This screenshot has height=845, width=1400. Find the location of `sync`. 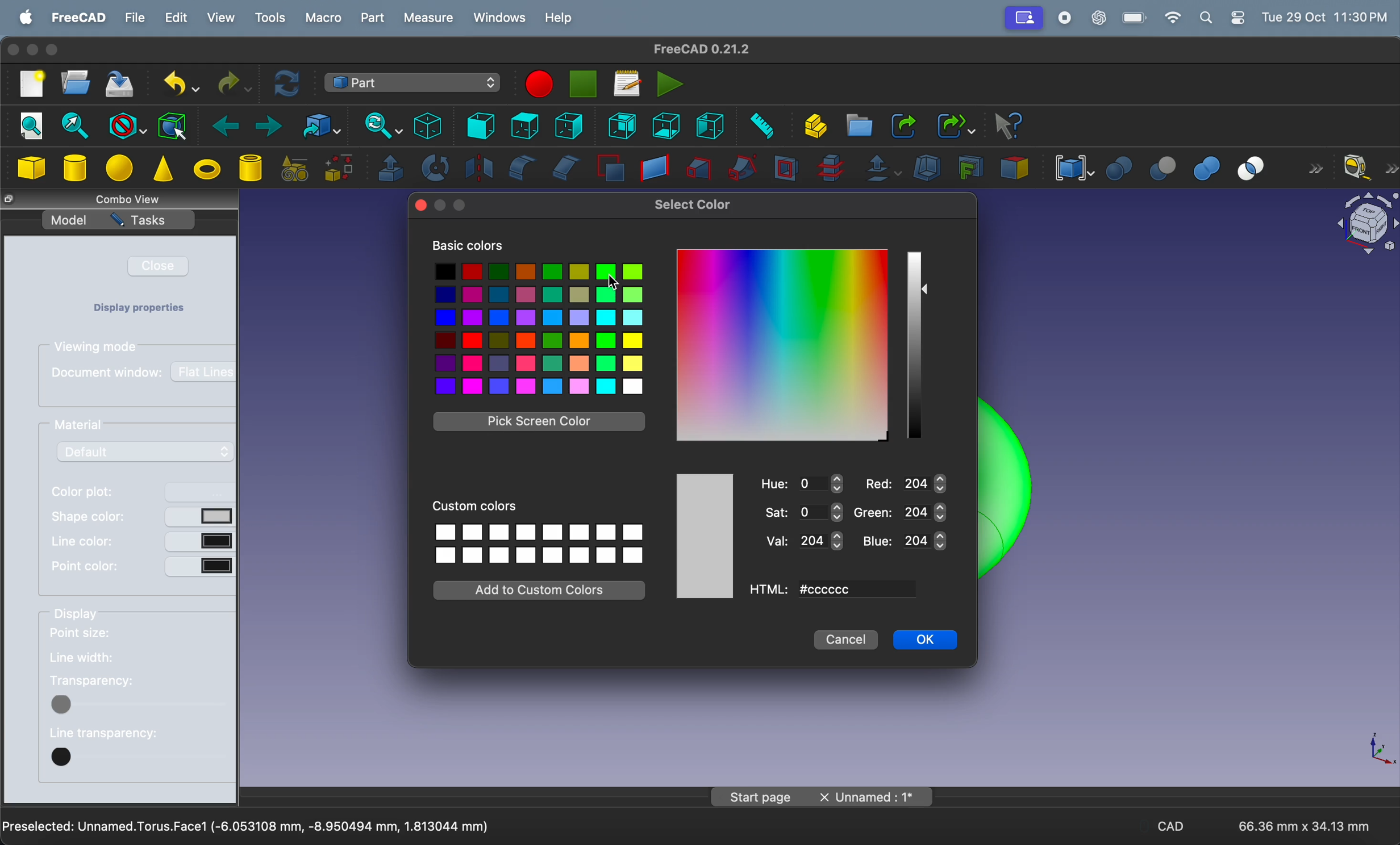

sync is located at coordinates (377, 124).